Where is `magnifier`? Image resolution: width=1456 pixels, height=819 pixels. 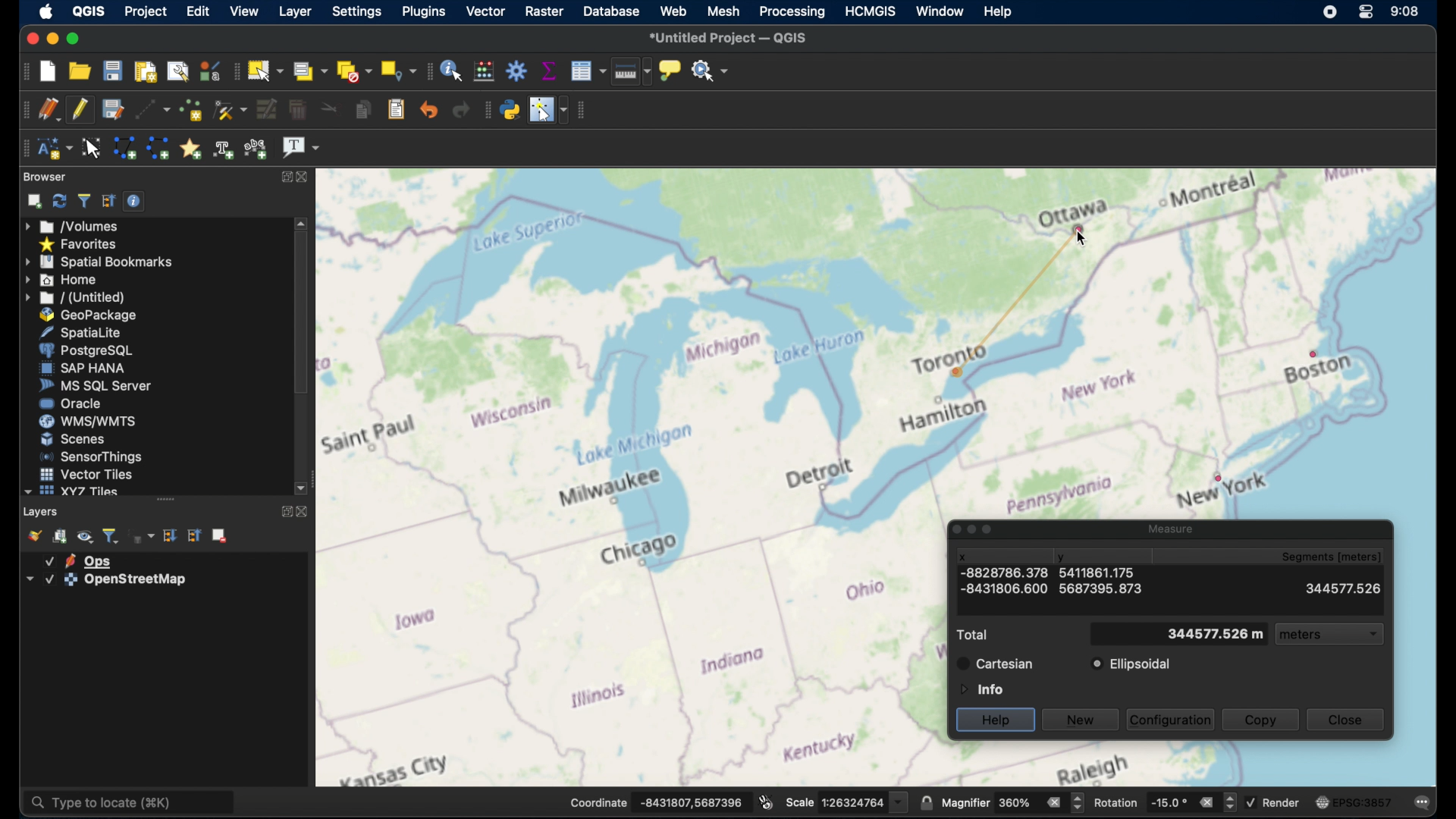 magnifier is located at coordinates (1012, 802).